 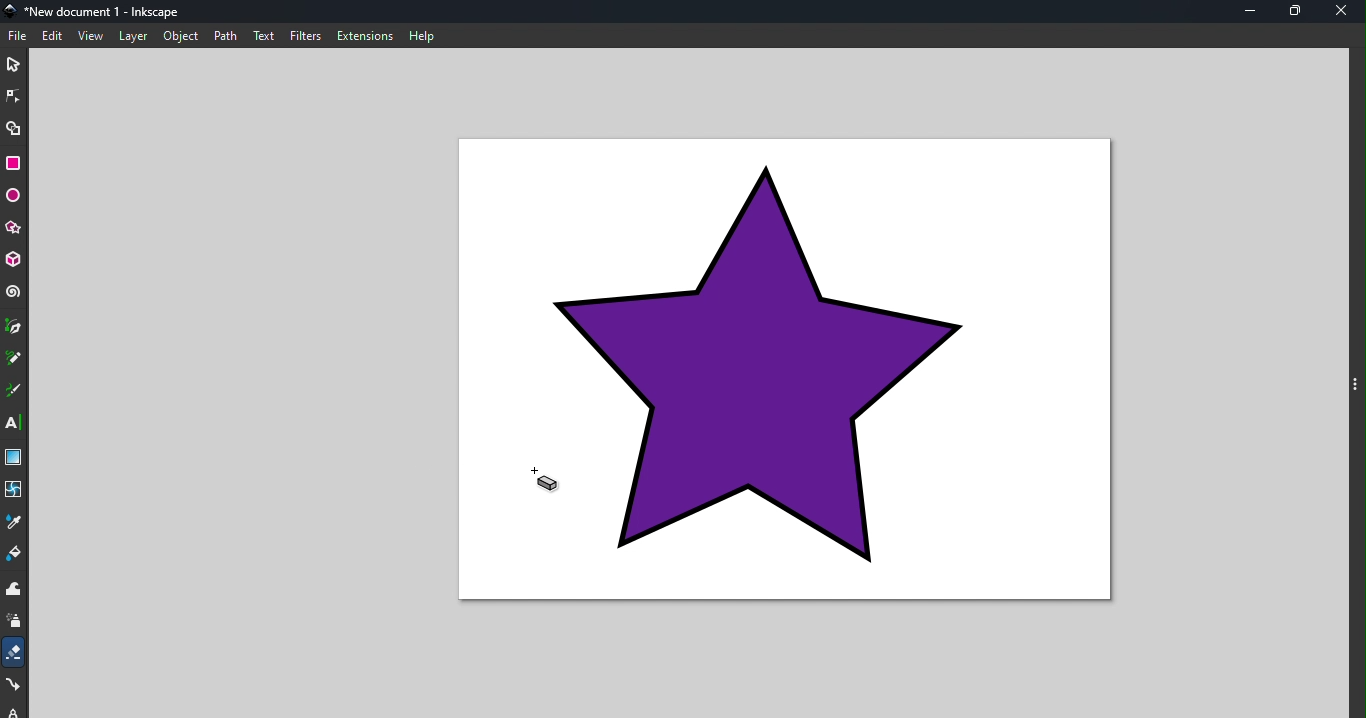 I want to click on connector tool, so click(x=15, y=686).